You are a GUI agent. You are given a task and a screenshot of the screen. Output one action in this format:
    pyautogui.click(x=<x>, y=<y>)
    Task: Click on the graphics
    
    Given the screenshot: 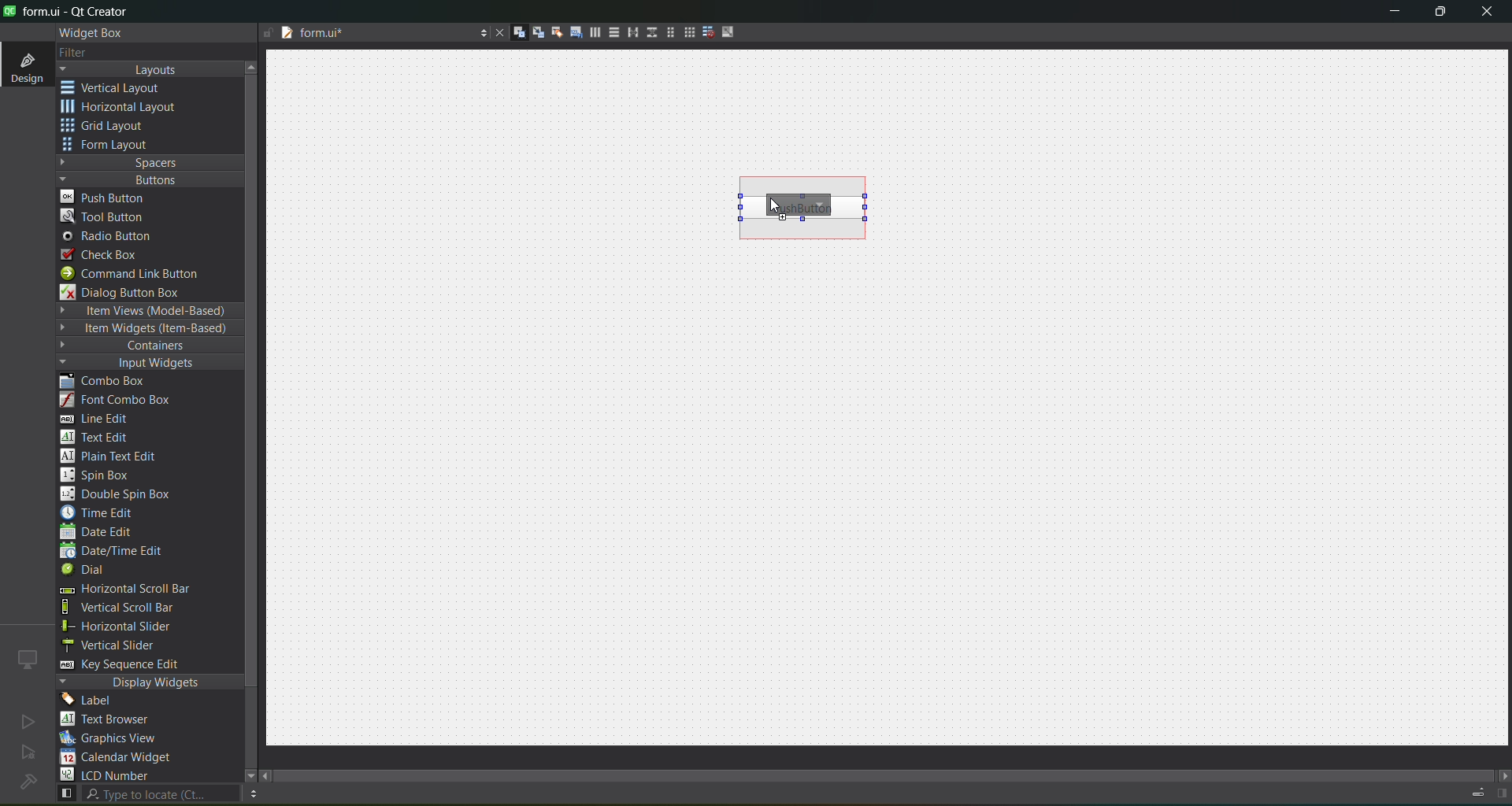 What is the action you would take?
    pyautogui.click(x=115, y=738)
    